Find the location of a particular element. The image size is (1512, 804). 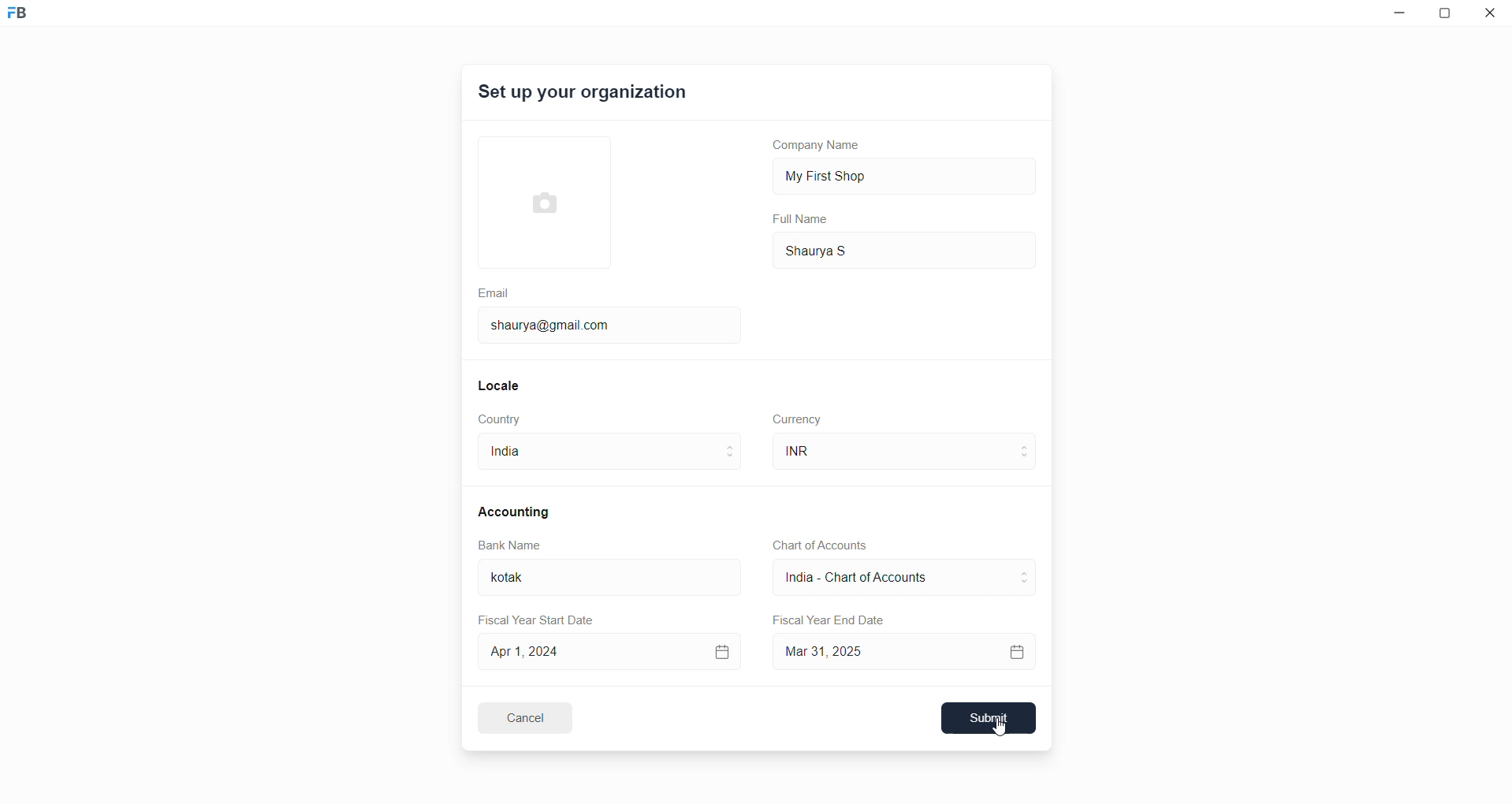

Frappe Book logo is located at coordinates (31, 20).